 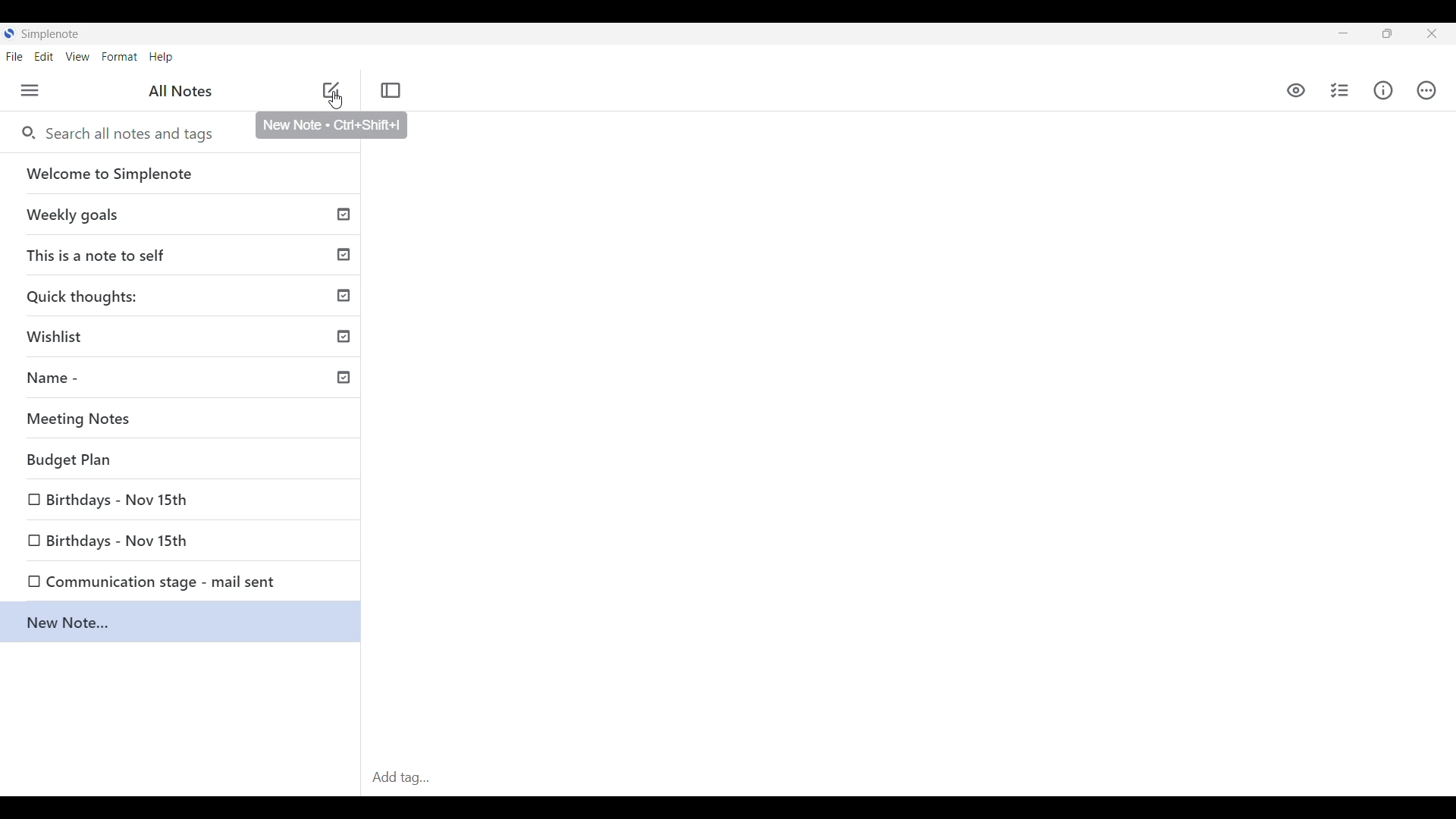 What do you see at coordinates (908, 778) in the screenshot?
I see `Click to type in tag` at bounding box center [908, 778].